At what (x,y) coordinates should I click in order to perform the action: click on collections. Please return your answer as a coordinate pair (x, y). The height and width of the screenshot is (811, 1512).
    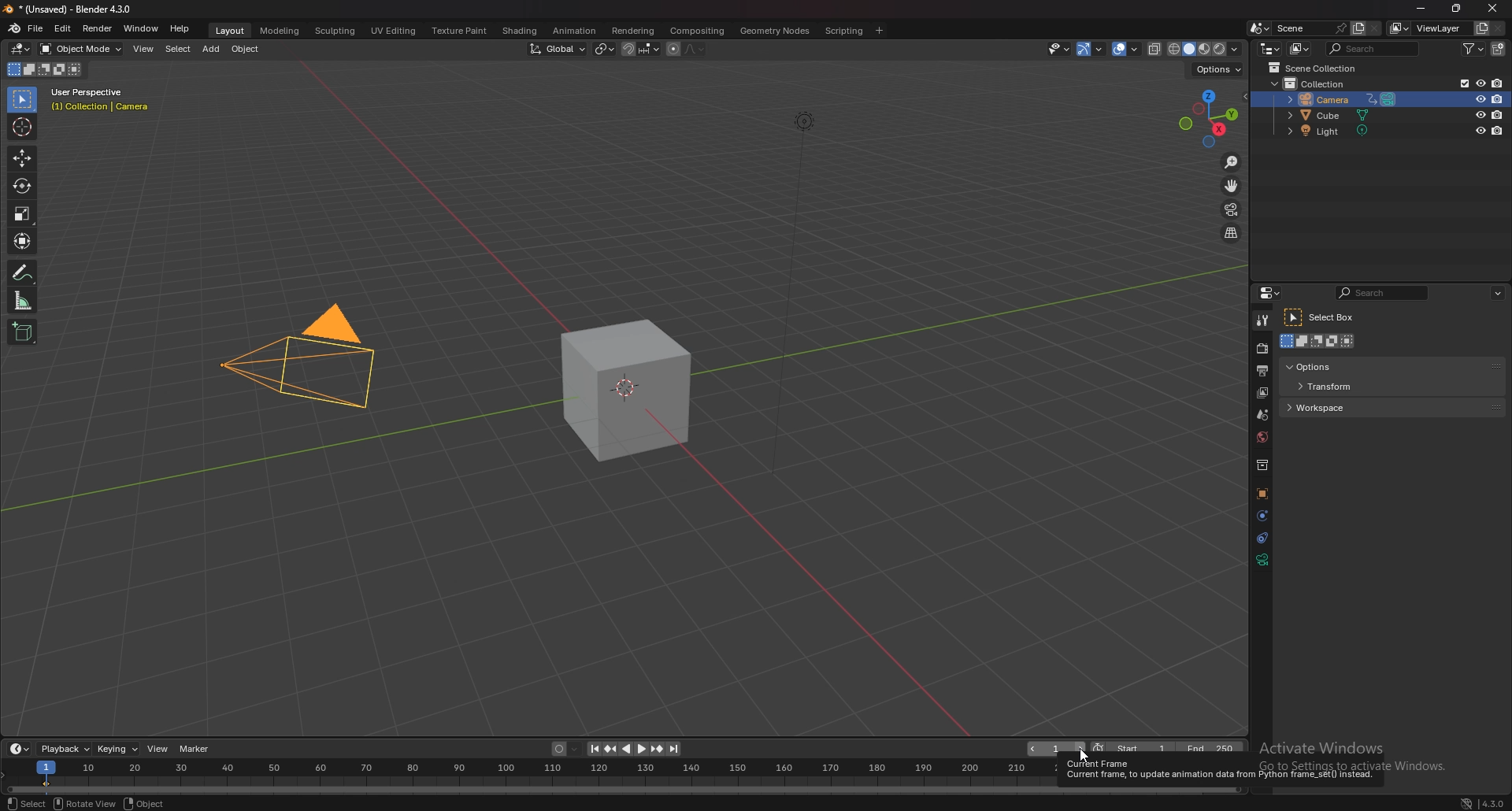
    Looking at the image, I should click on (1262, 466).